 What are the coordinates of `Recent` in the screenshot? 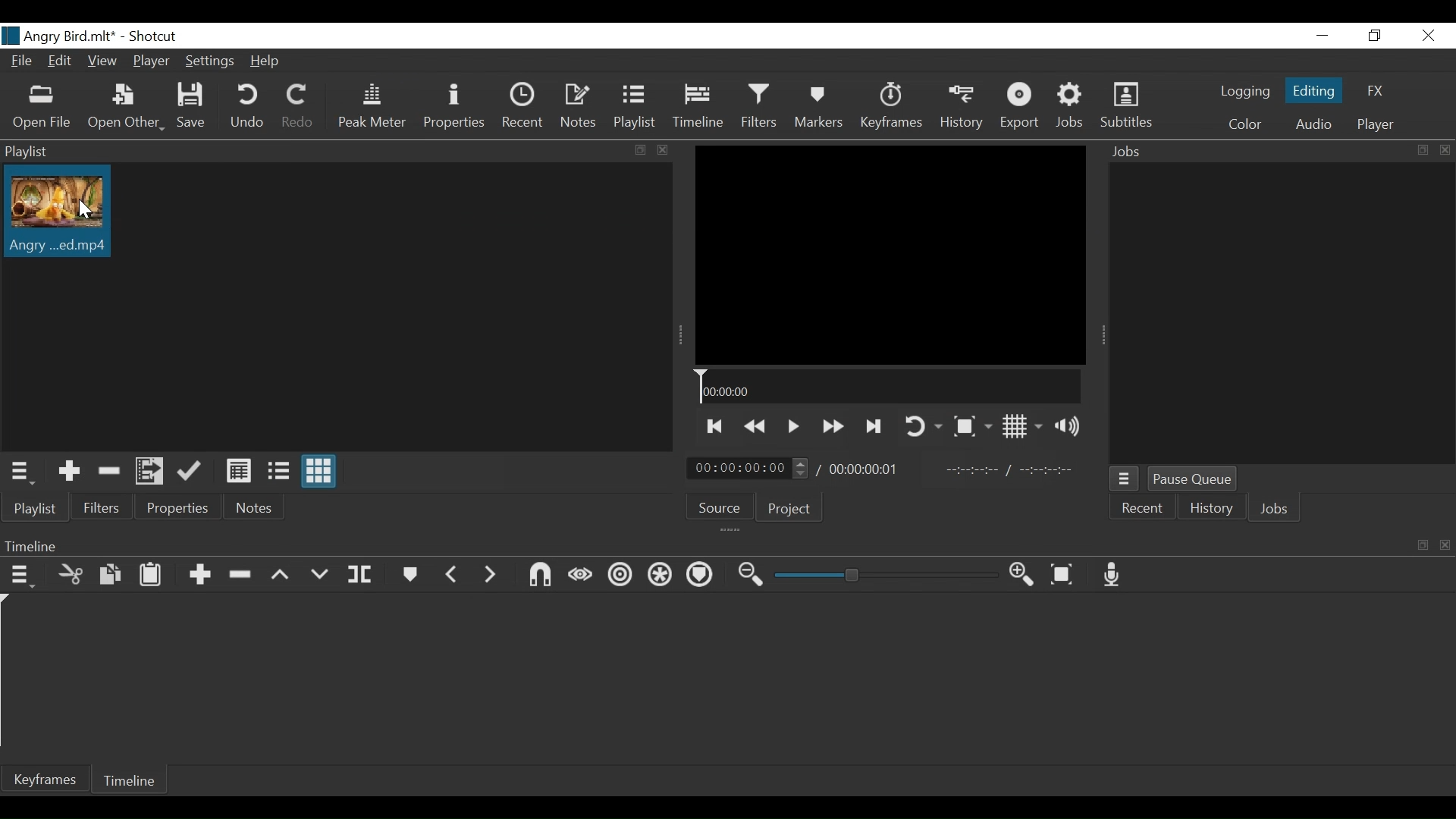 It's located at (524, 106).